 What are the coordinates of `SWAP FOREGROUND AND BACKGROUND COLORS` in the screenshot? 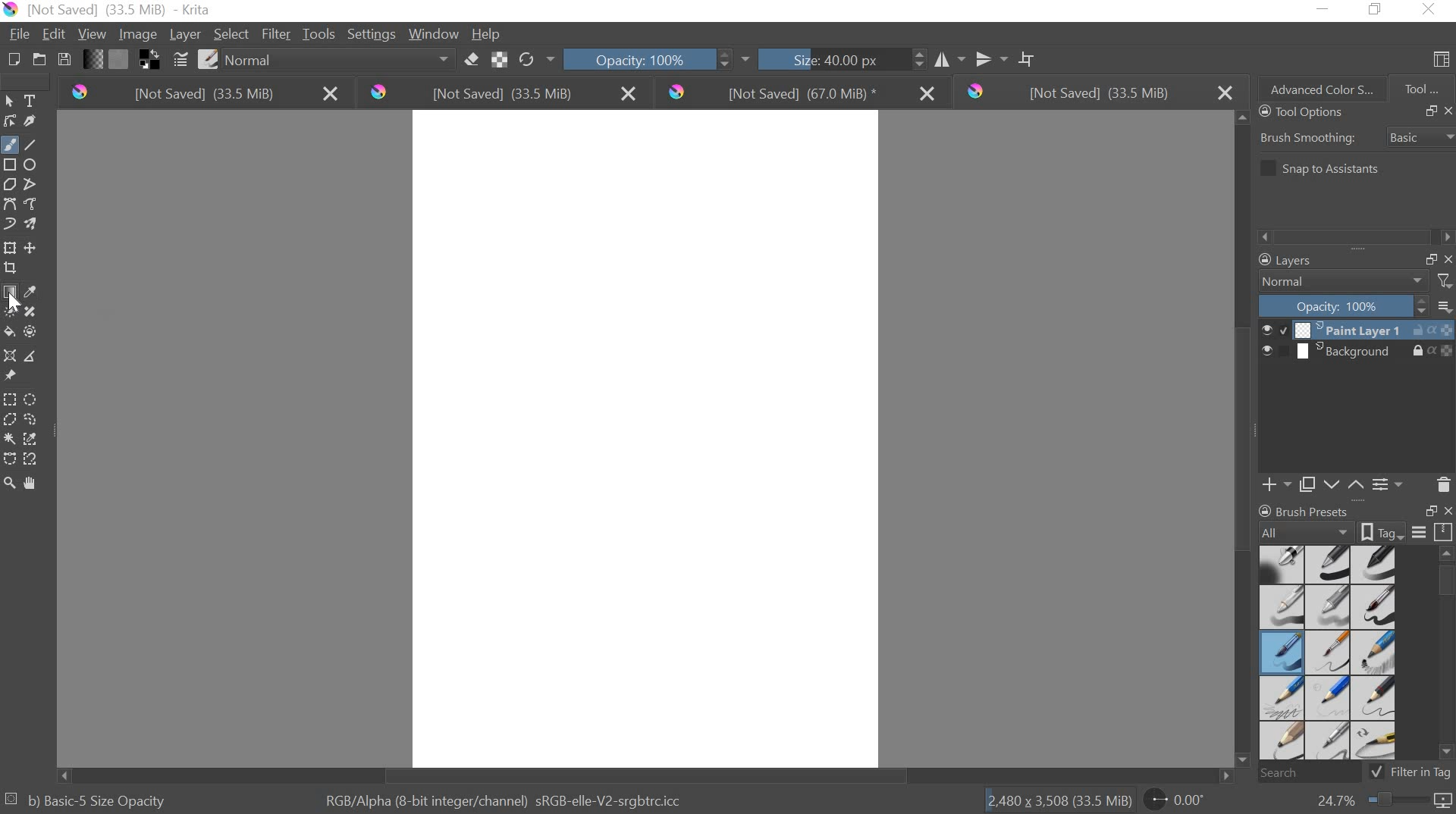 It's located at (149, 61).